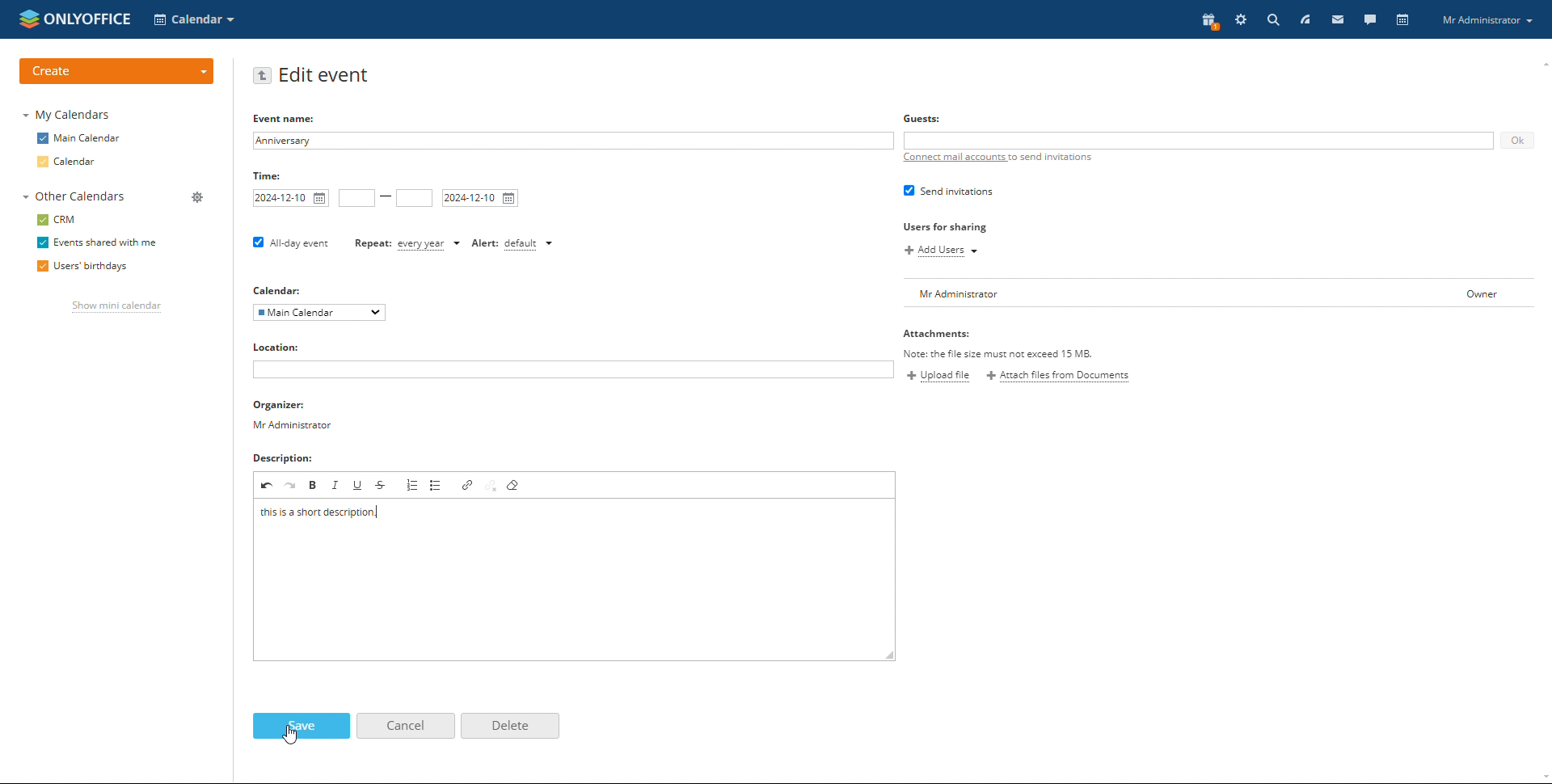 The image size is (1552, 784). I want to click on insert/remove numbered list, so click(412, 484).